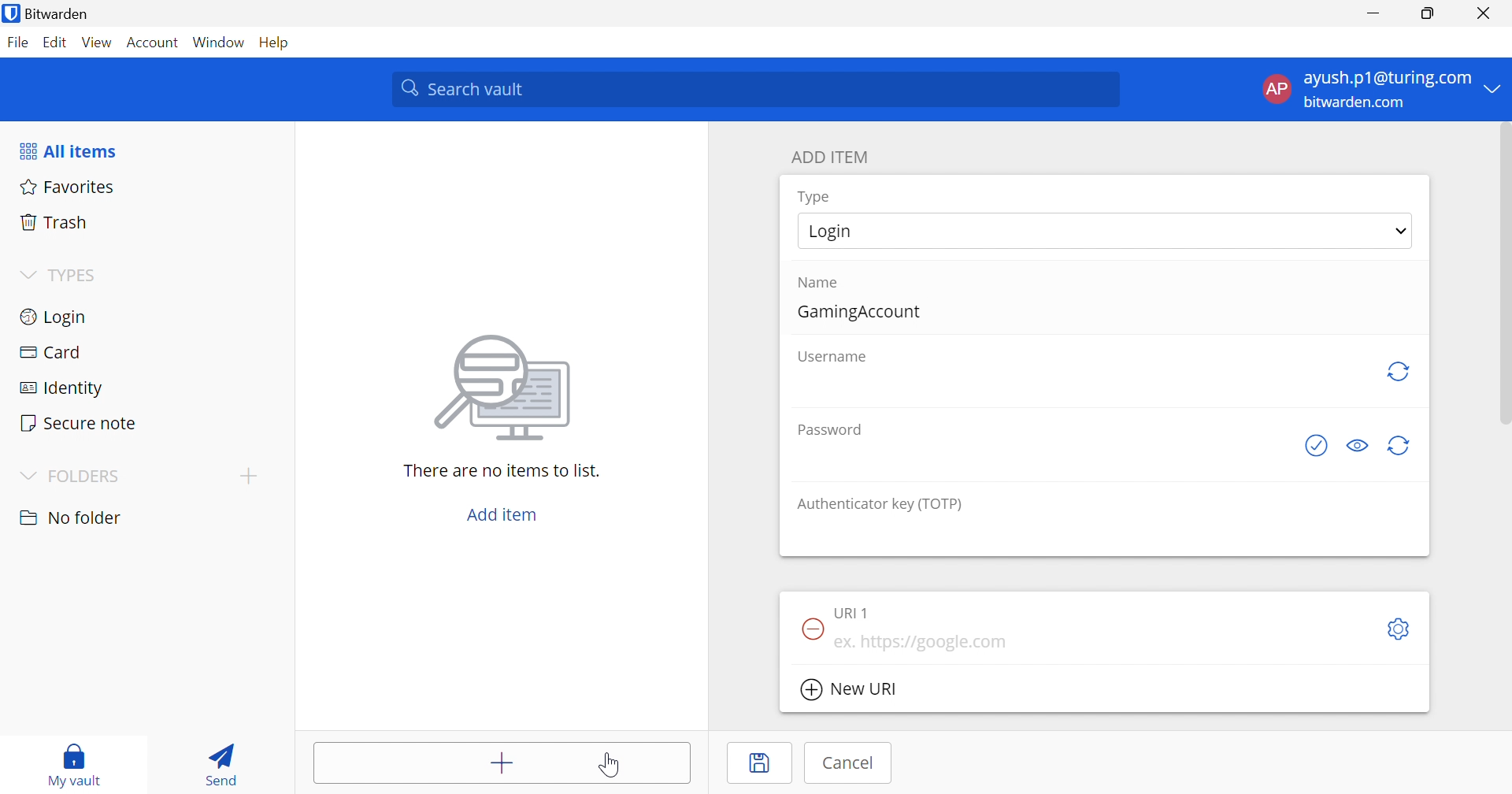  What do you see at coordinates (923, 643) in the screenshot?
I see `ex. https://google.com` at bounding box center [923, 643].